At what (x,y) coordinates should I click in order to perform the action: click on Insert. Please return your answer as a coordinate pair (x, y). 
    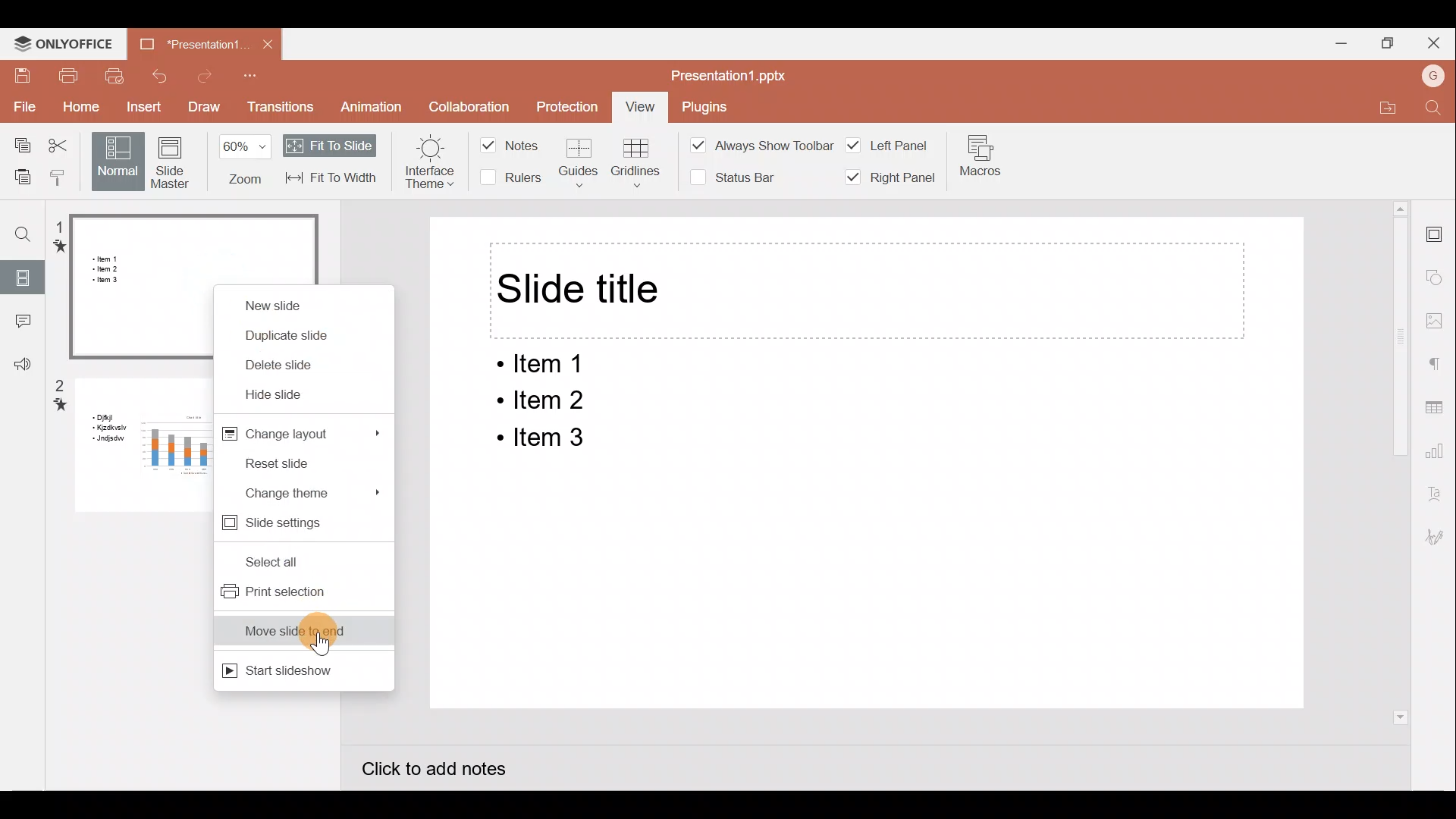
    Looking at the image, I should click on (142, 106).